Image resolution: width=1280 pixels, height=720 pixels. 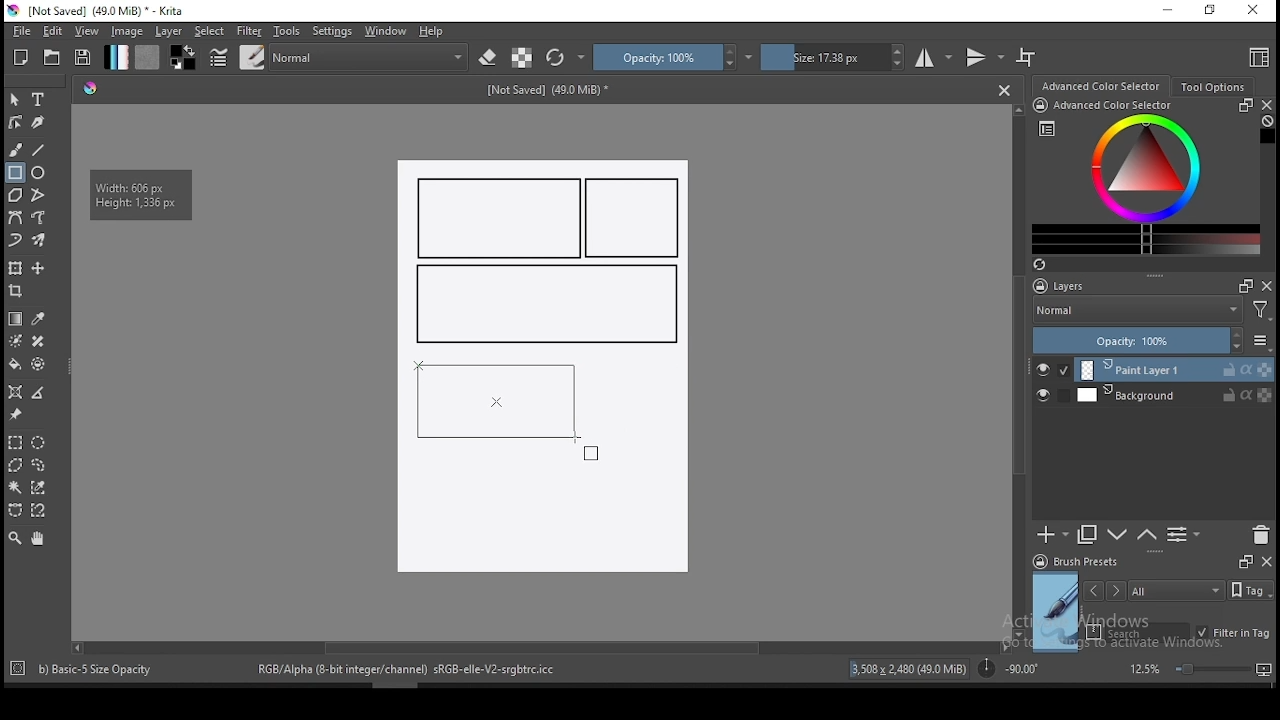 I want to click on layers, so click(x=1065, y=287).